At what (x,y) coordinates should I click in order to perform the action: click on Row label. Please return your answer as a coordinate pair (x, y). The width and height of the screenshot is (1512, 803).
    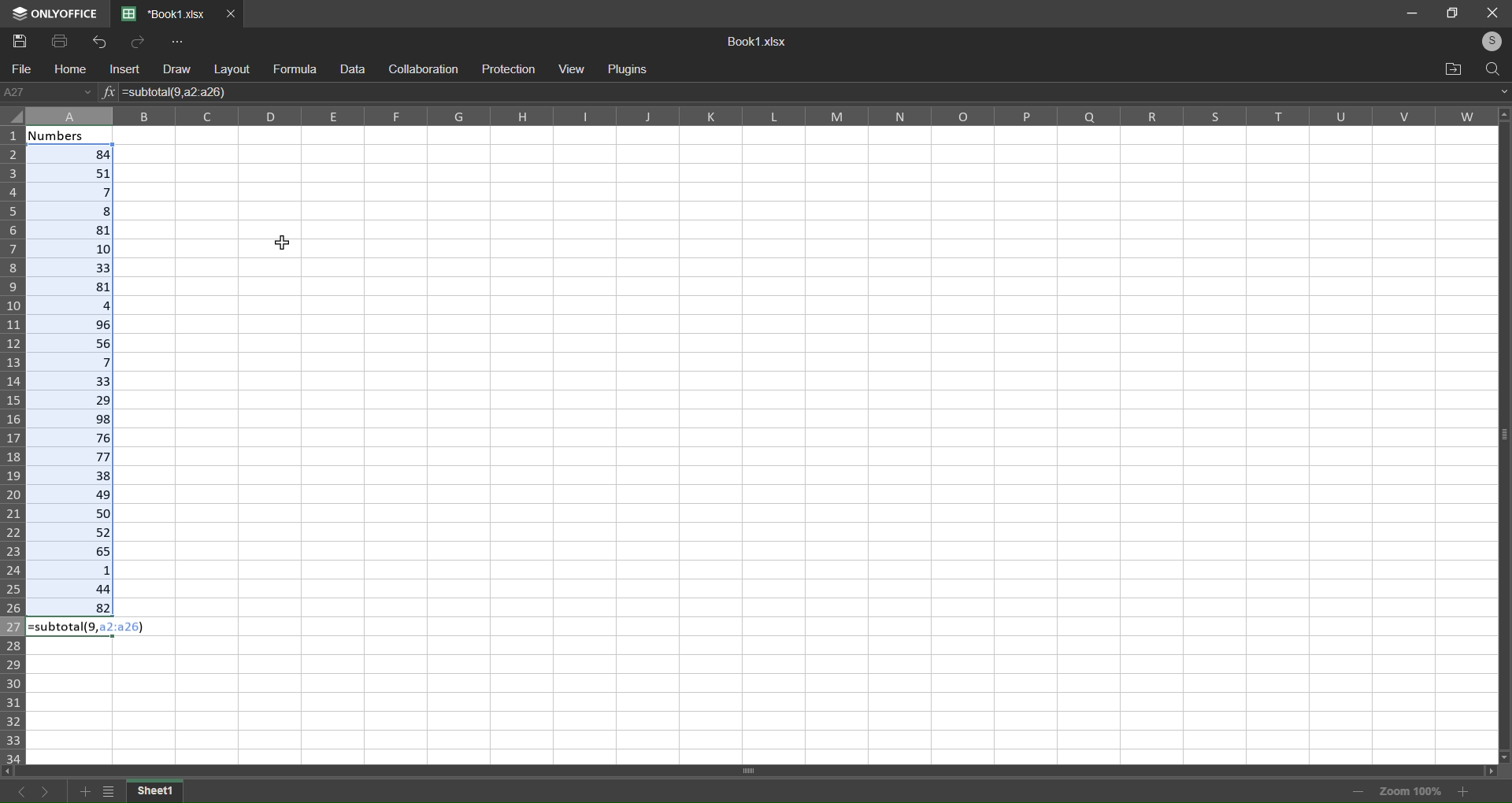
    Looking at the image, I should click on (14, 445).